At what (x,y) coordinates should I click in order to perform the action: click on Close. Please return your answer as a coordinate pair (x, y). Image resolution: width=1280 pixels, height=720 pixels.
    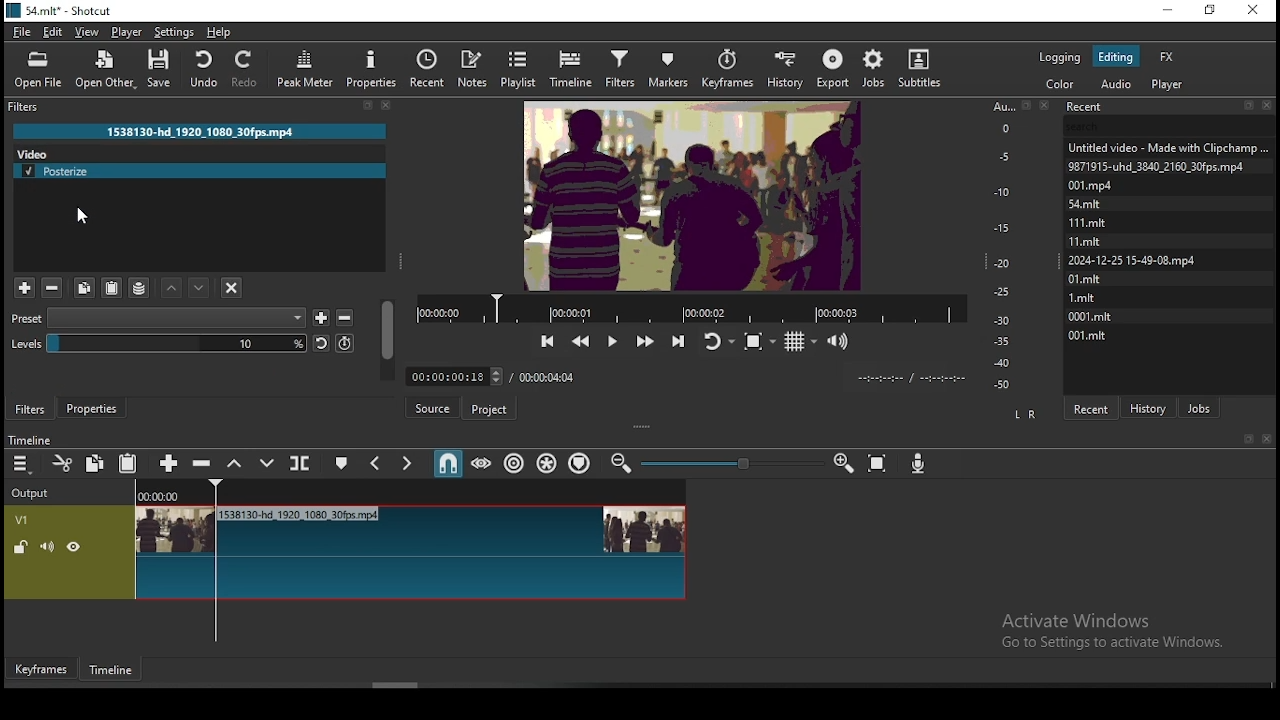
    Looking at the image, I should click on (1270, 439).